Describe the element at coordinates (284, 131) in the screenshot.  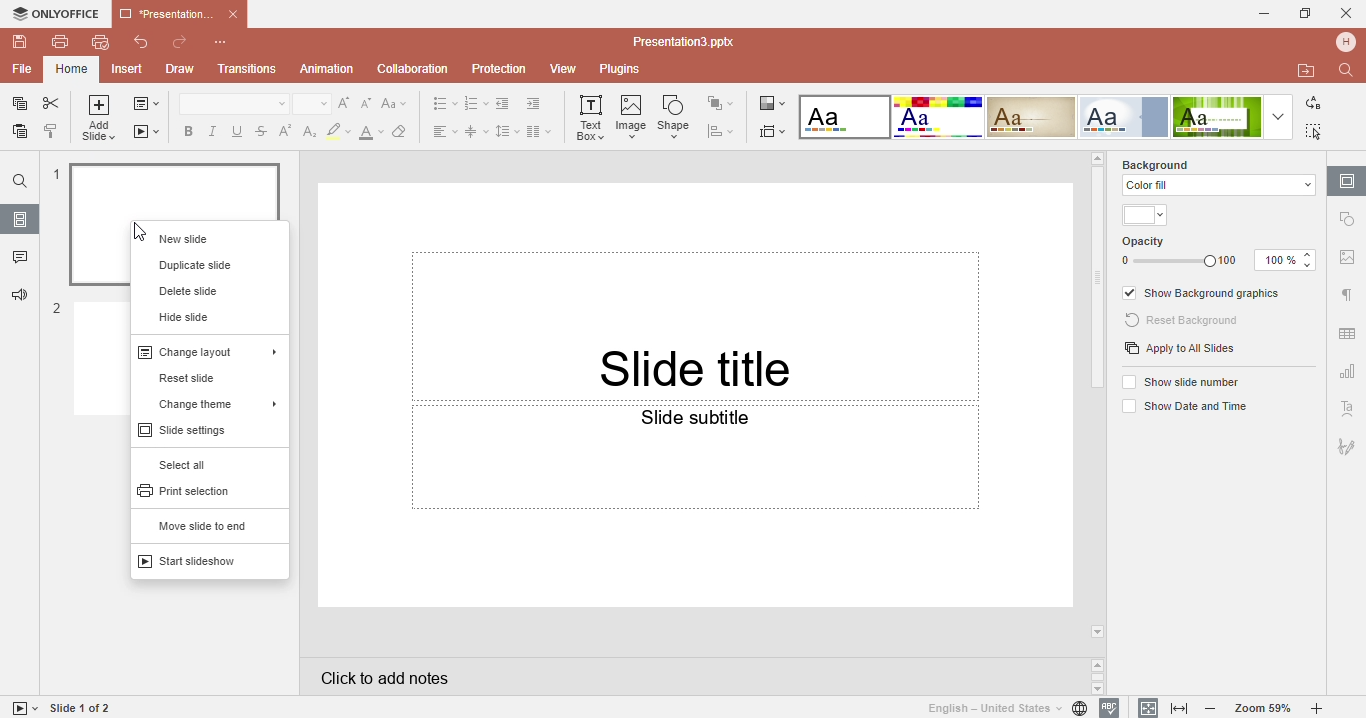
I see `Superscript` at that location.